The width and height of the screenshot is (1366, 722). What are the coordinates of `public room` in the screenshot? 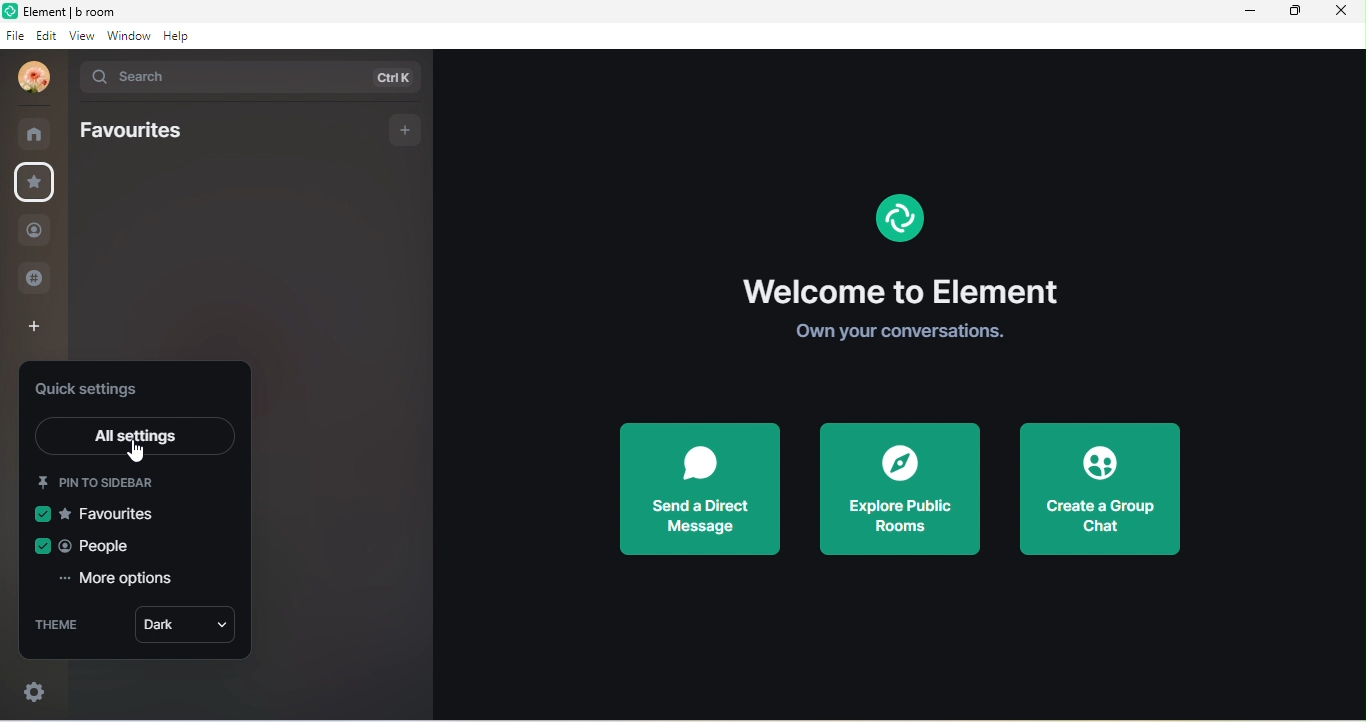 It's located at (41, 277).